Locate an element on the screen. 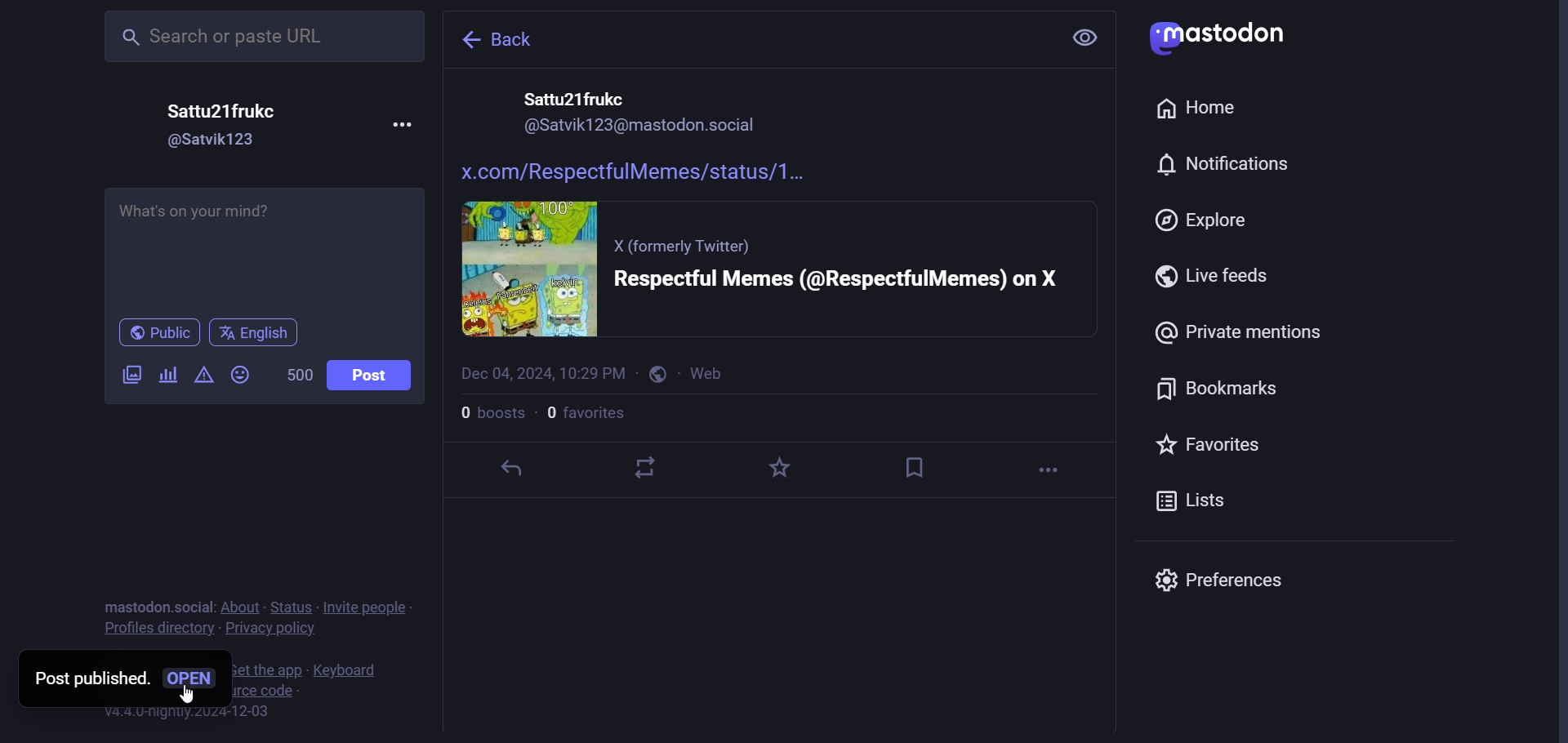  mastodon is located at coordinates (1220, 37).